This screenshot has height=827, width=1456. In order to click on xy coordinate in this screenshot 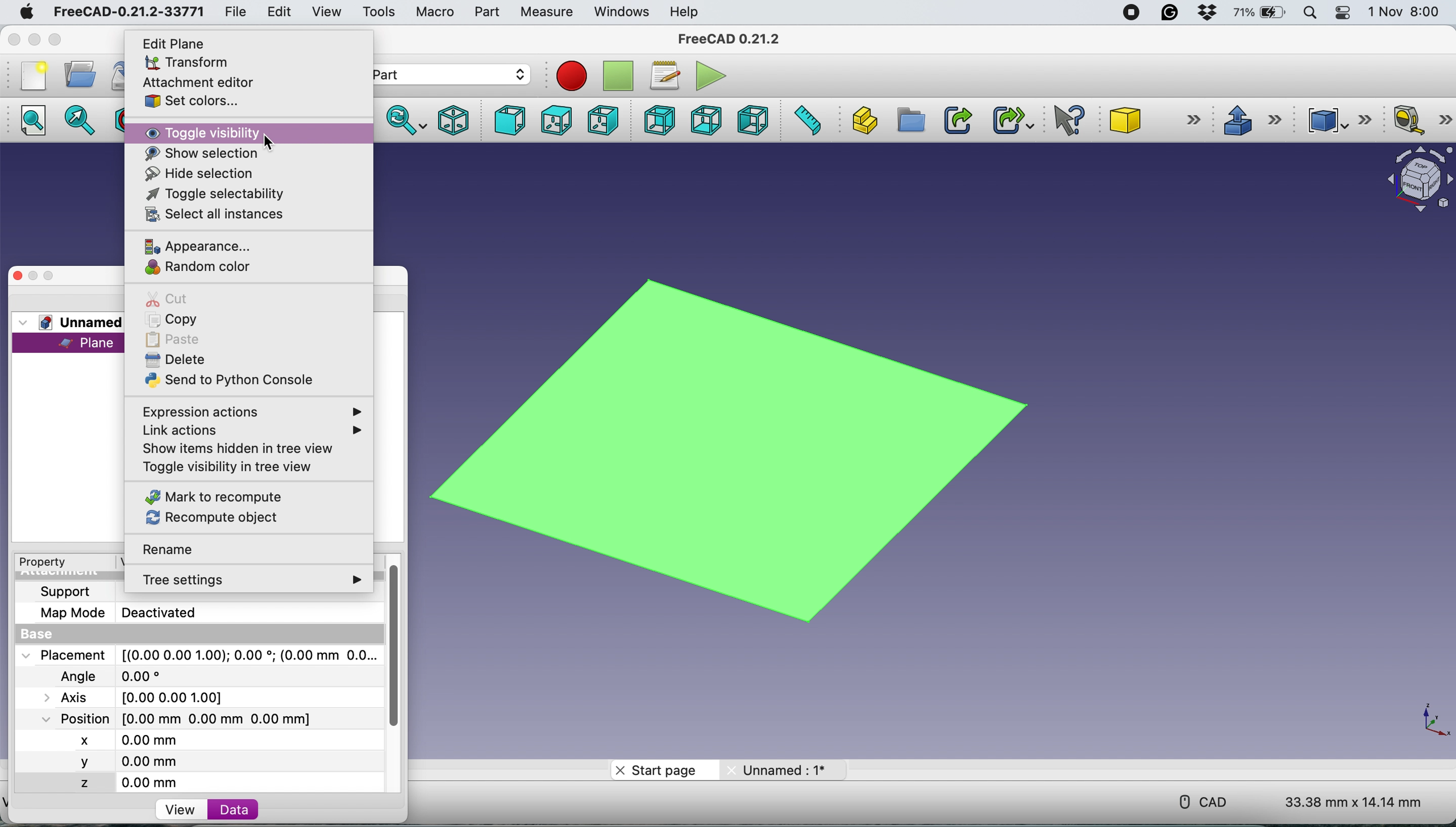, I will do `click(1428, 722)`.